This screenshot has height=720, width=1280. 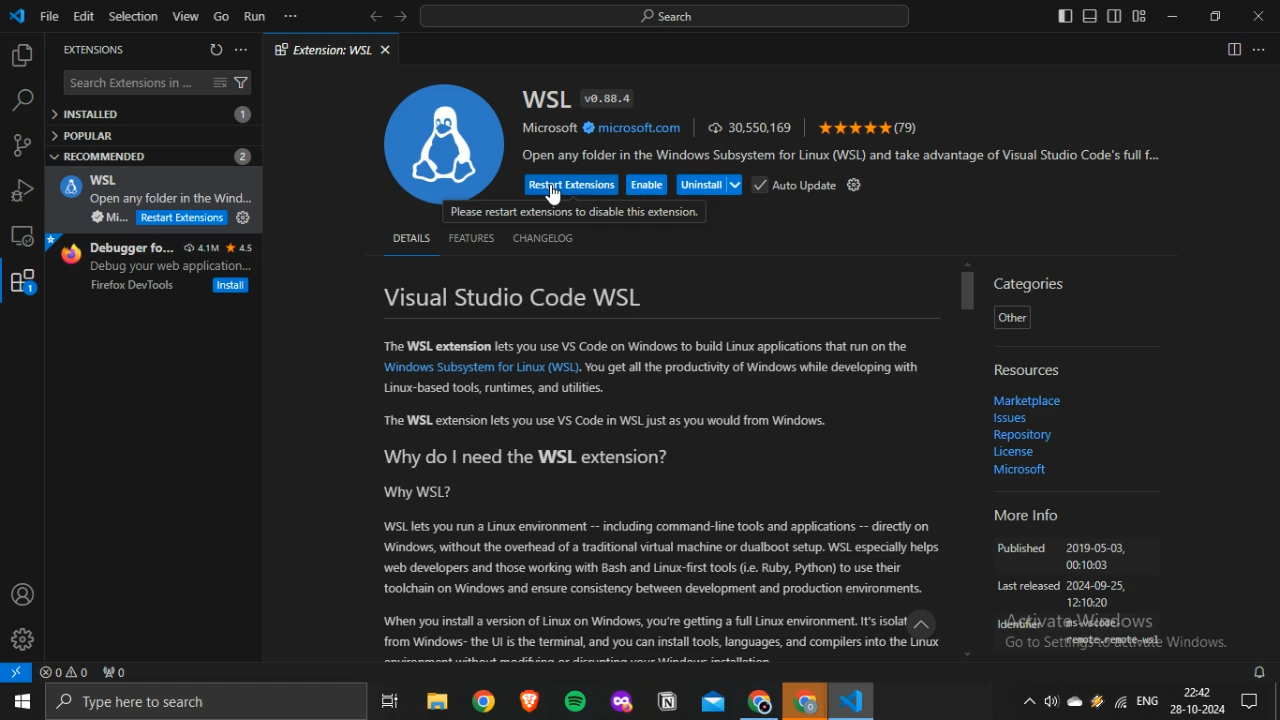 I want to click on back, so click(x=376, y=16).